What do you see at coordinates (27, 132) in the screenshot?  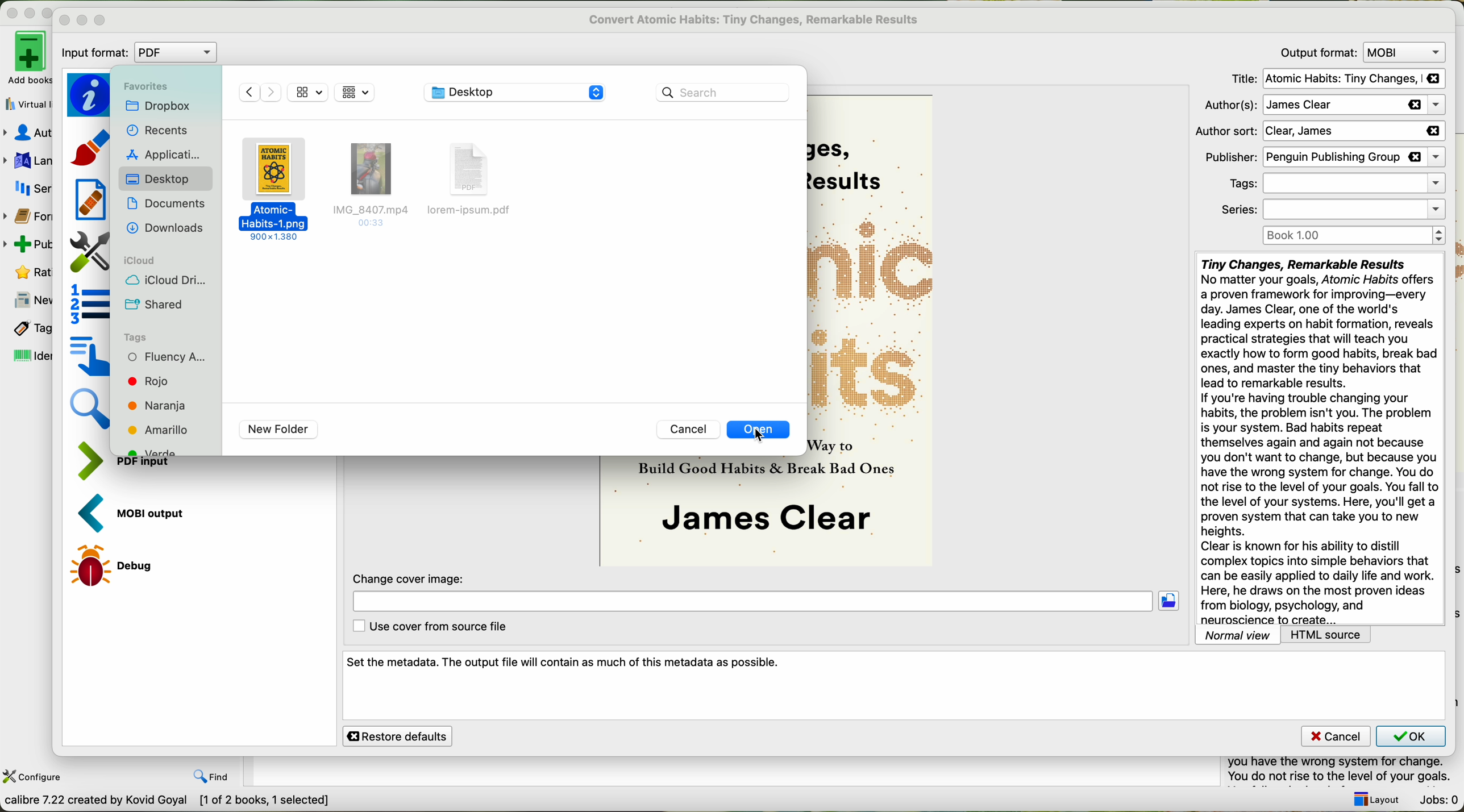 I see `authors` at bounding box center [27, 132].